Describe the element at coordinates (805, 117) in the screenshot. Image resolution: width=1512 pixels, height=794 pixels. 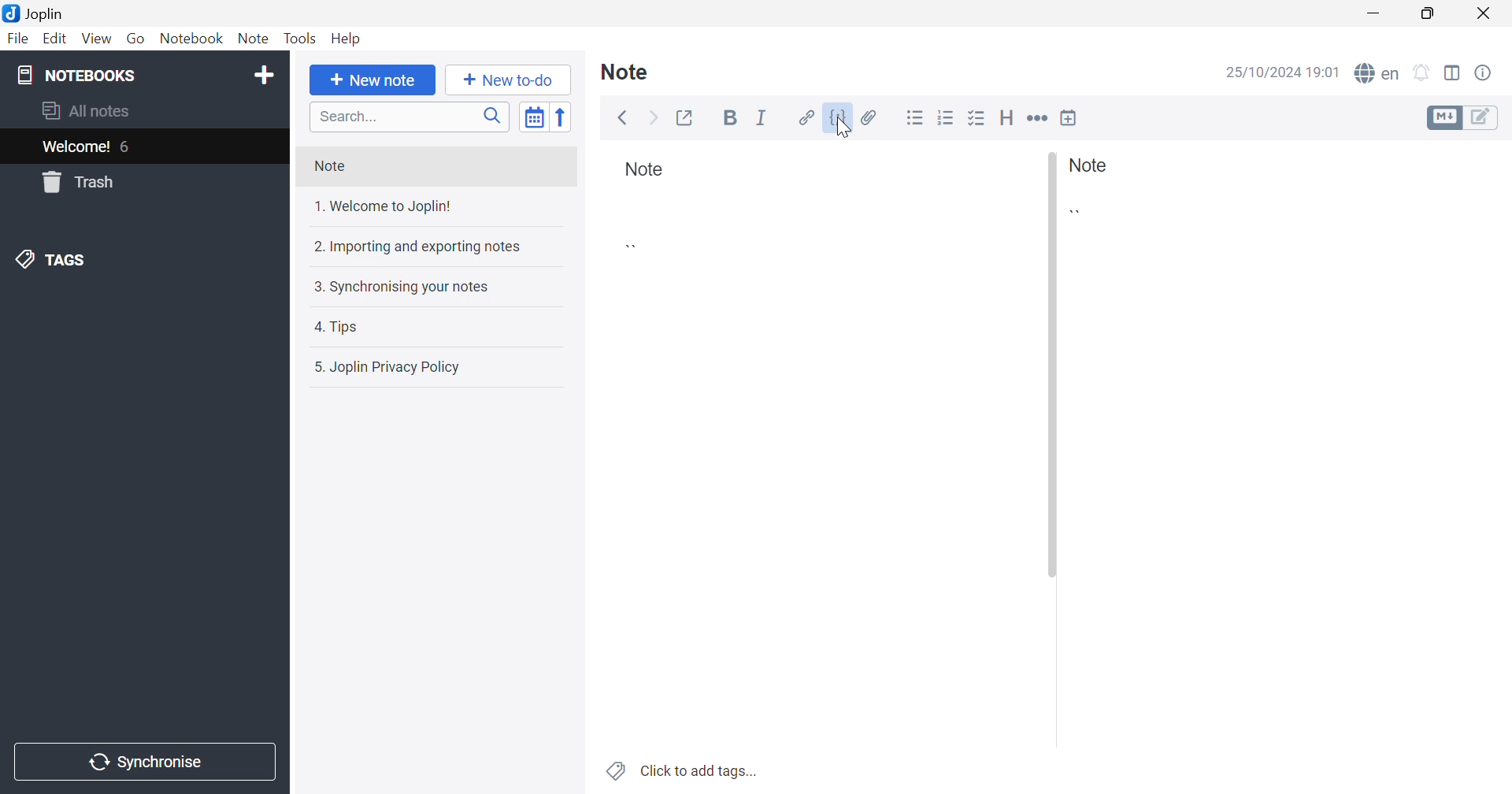
I see `Hyperlink` at that location.